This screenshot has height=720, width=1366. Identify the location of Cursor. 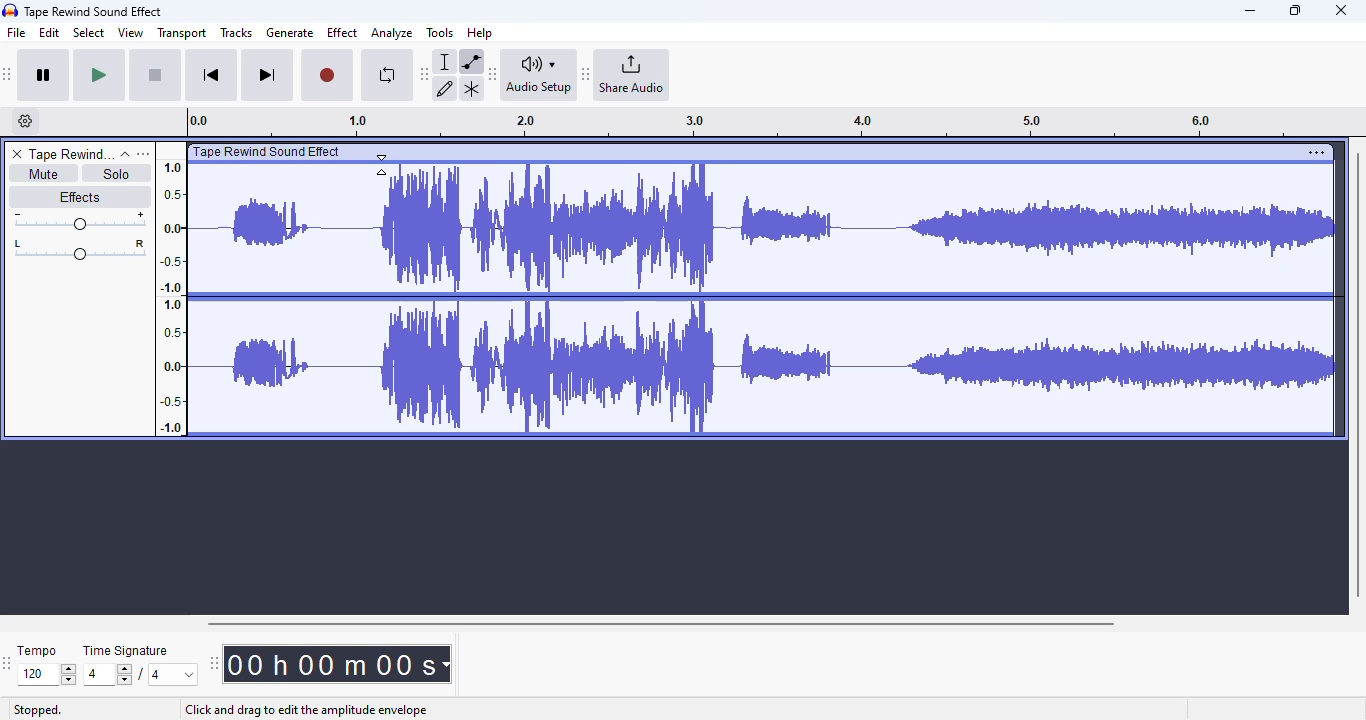
(382, 165).